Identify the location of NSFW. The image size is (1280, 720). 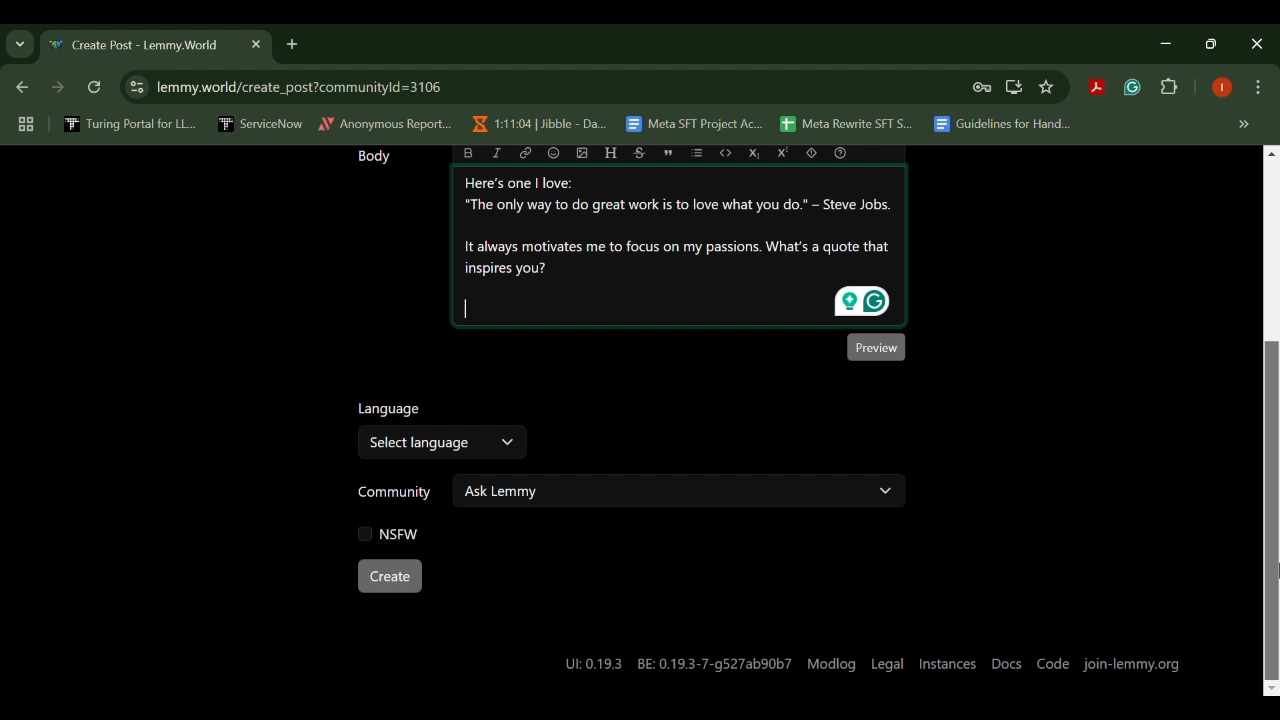
(390, 533).